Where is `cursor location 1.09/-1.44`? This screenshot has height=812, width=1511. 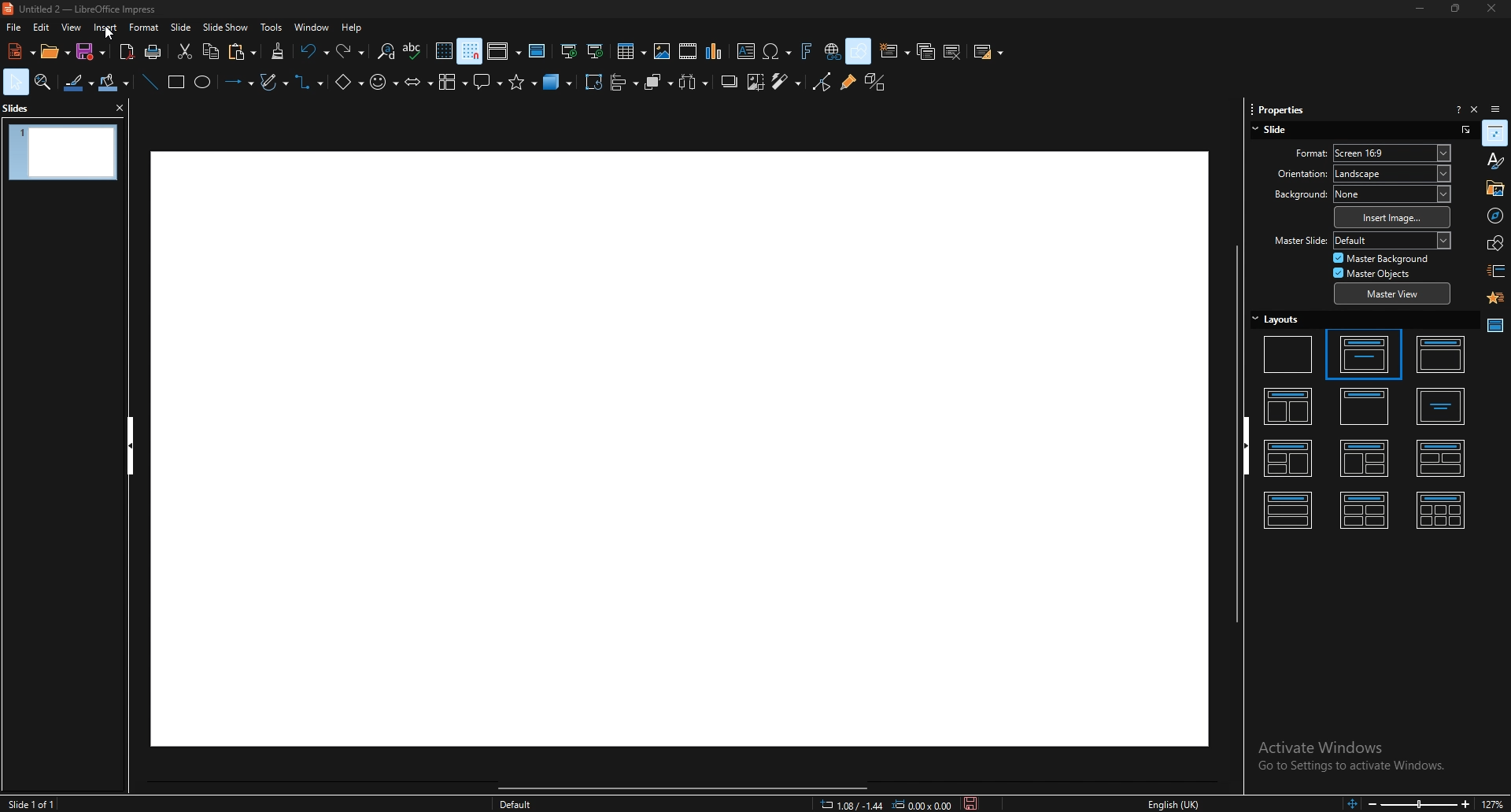
cursor location 1.09/-1.44 is located at coordinates (854, 804).